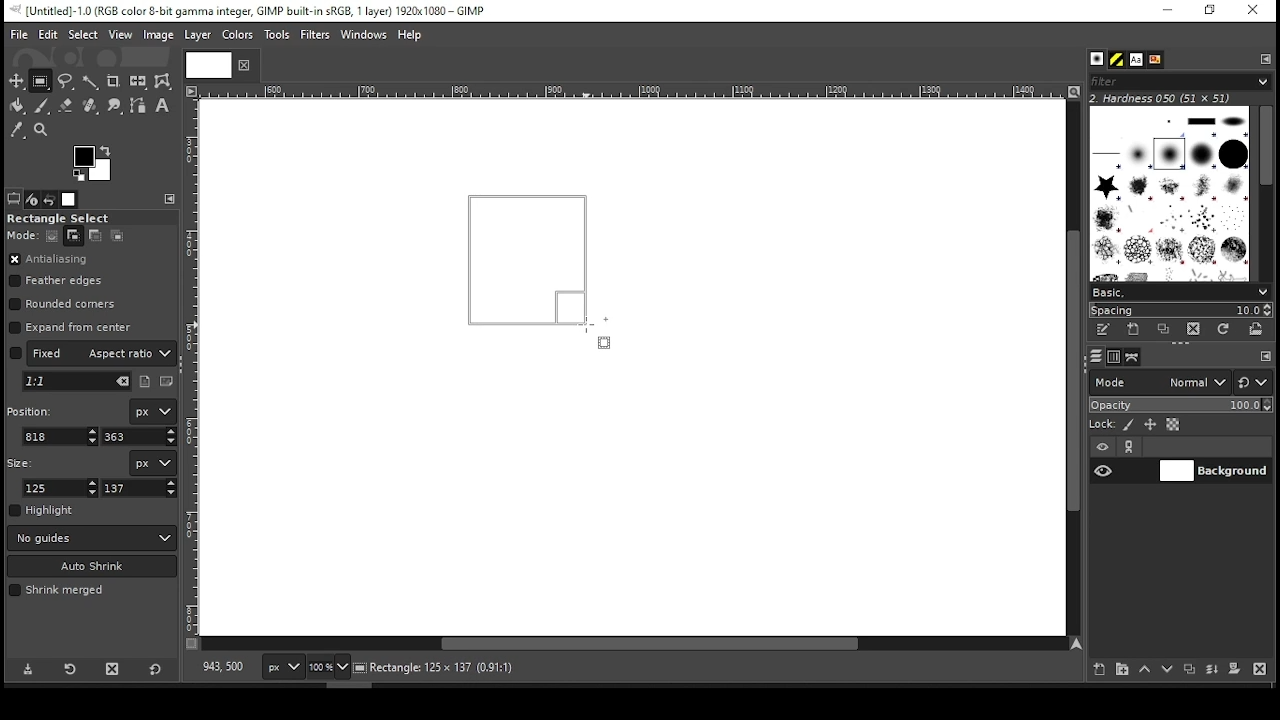 This screenshot has width=1280, height=720. What do you see at coordinates (82, 33) in the screenshot?
I see `select` at bounding box center [82, 33].